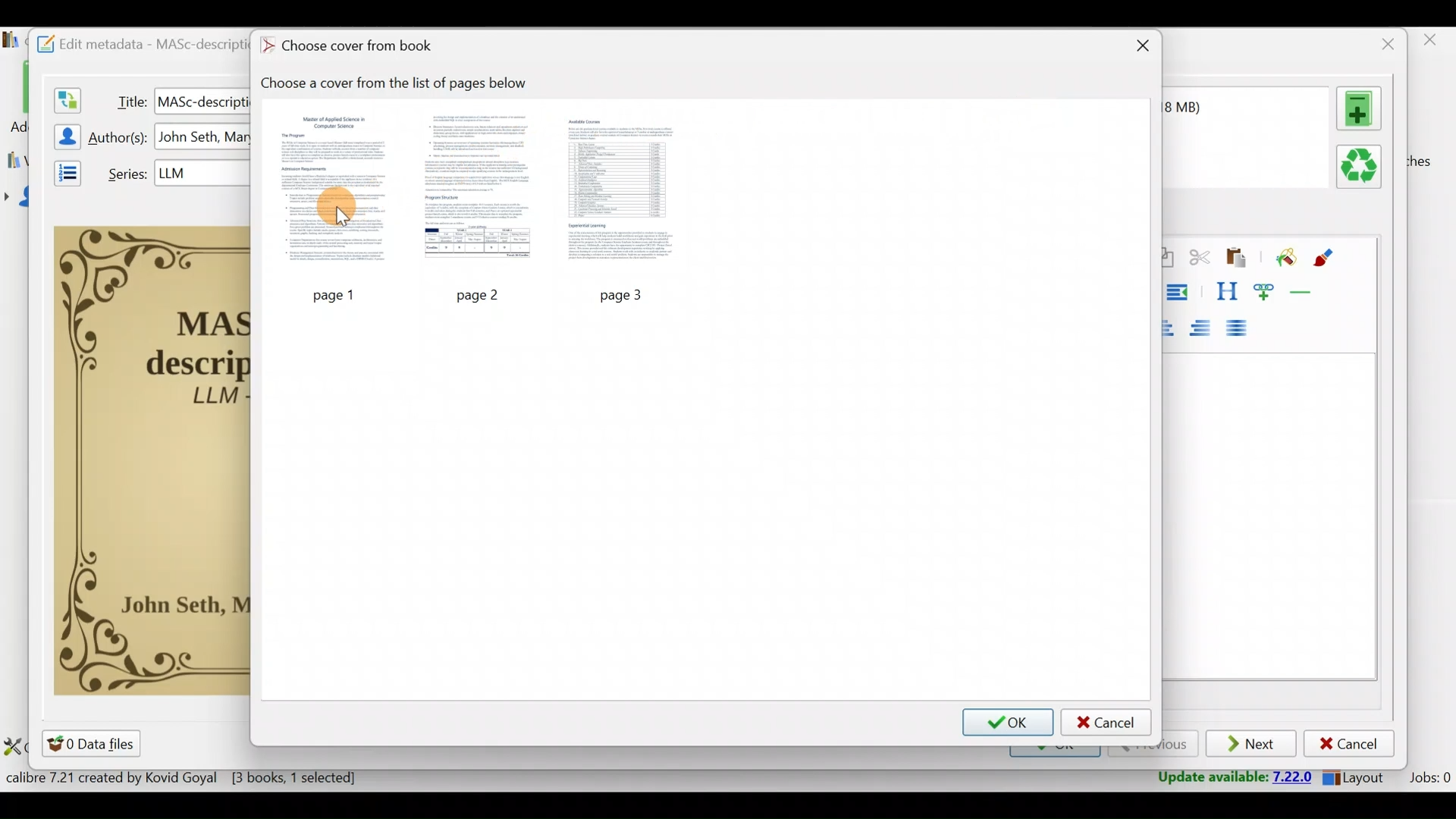  Describe the element at coordinates (1362, 168) in the screenshot. I see `Remove the selected format from this book` at that location.